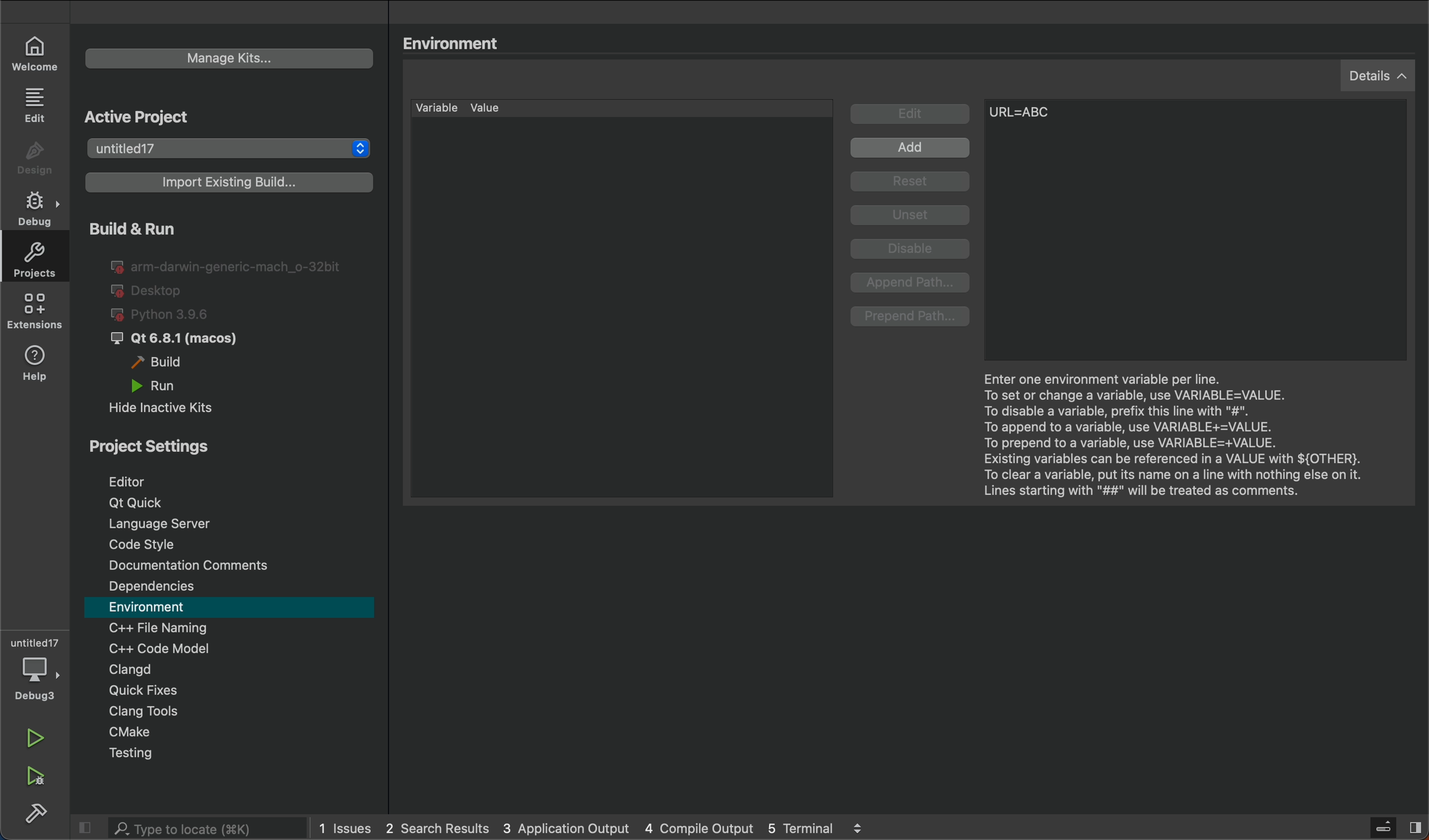 The width and height of the screenshot is (1429, 840). I want to click on Dependencies , so click(233, 587).